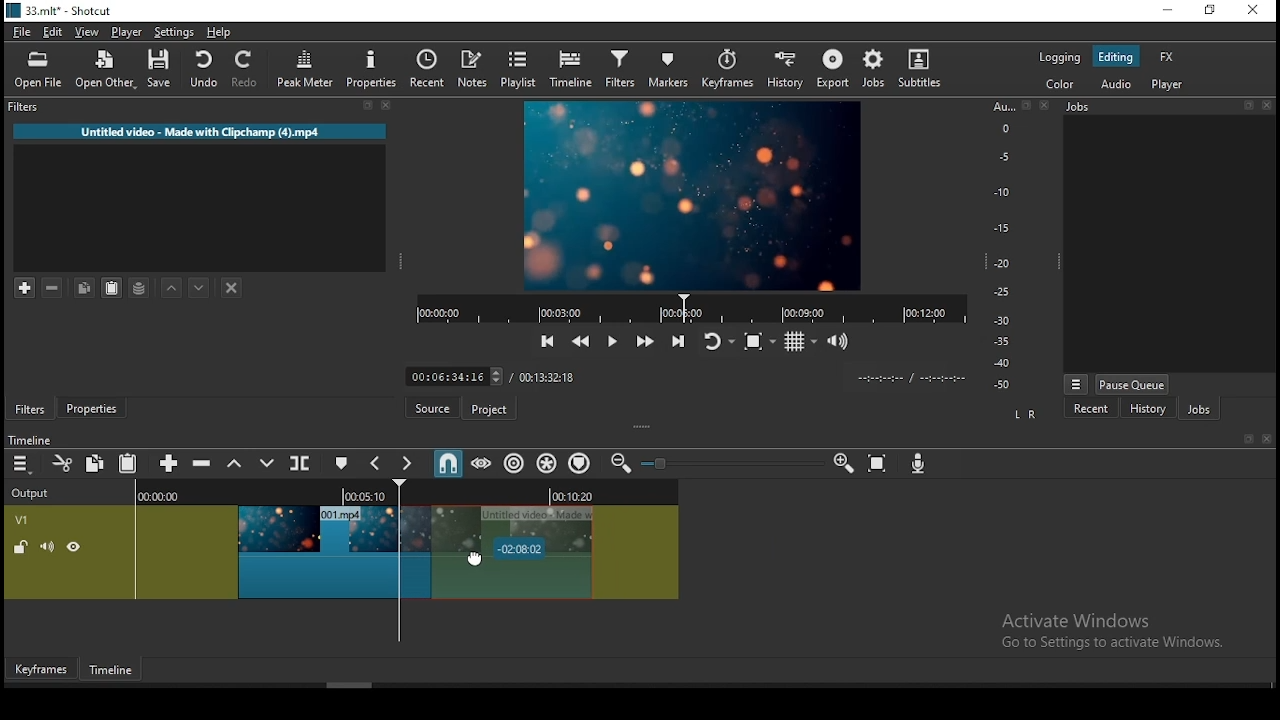 The image size is (1280, 720). I want to click on undo, so click(205, 70).